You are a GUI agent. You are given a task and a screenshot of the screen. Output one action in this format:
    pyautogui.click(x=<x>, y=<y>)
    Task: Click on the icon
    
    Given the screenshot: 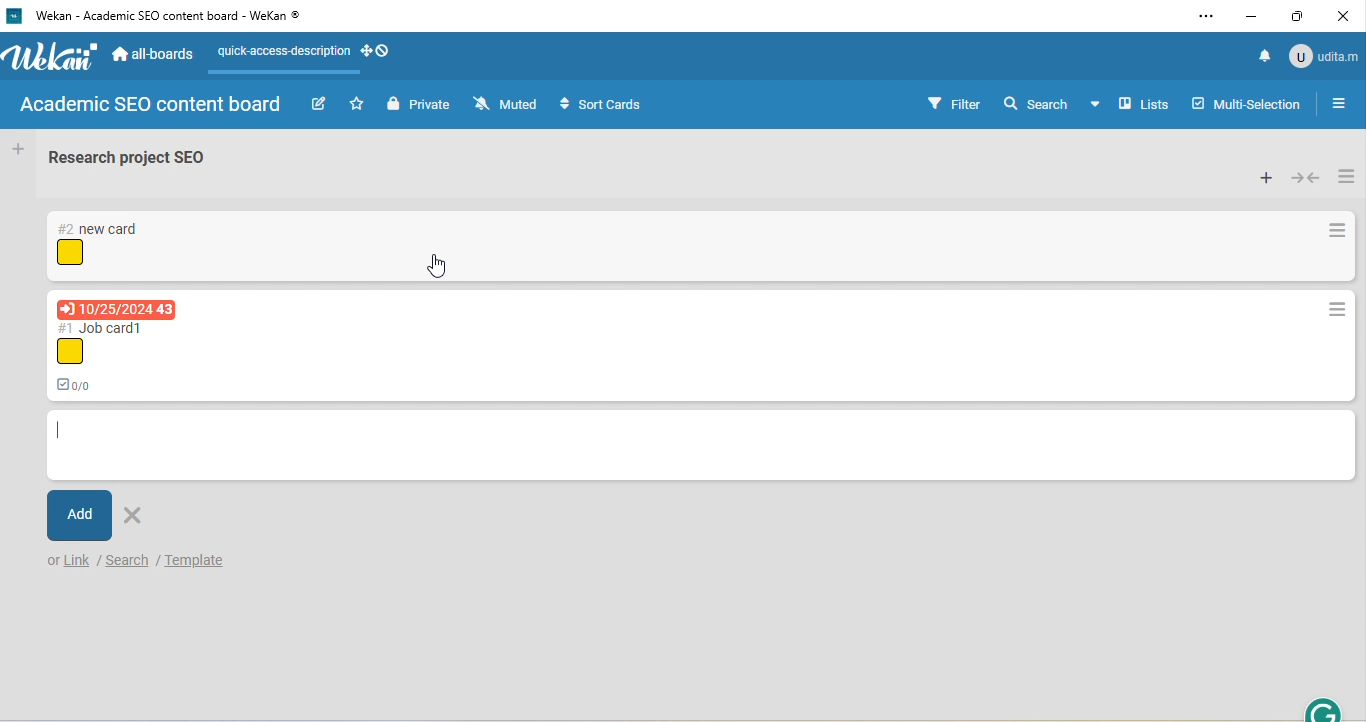 What is the action you would take?
    pyautogui.click(x=69, y=352)
    